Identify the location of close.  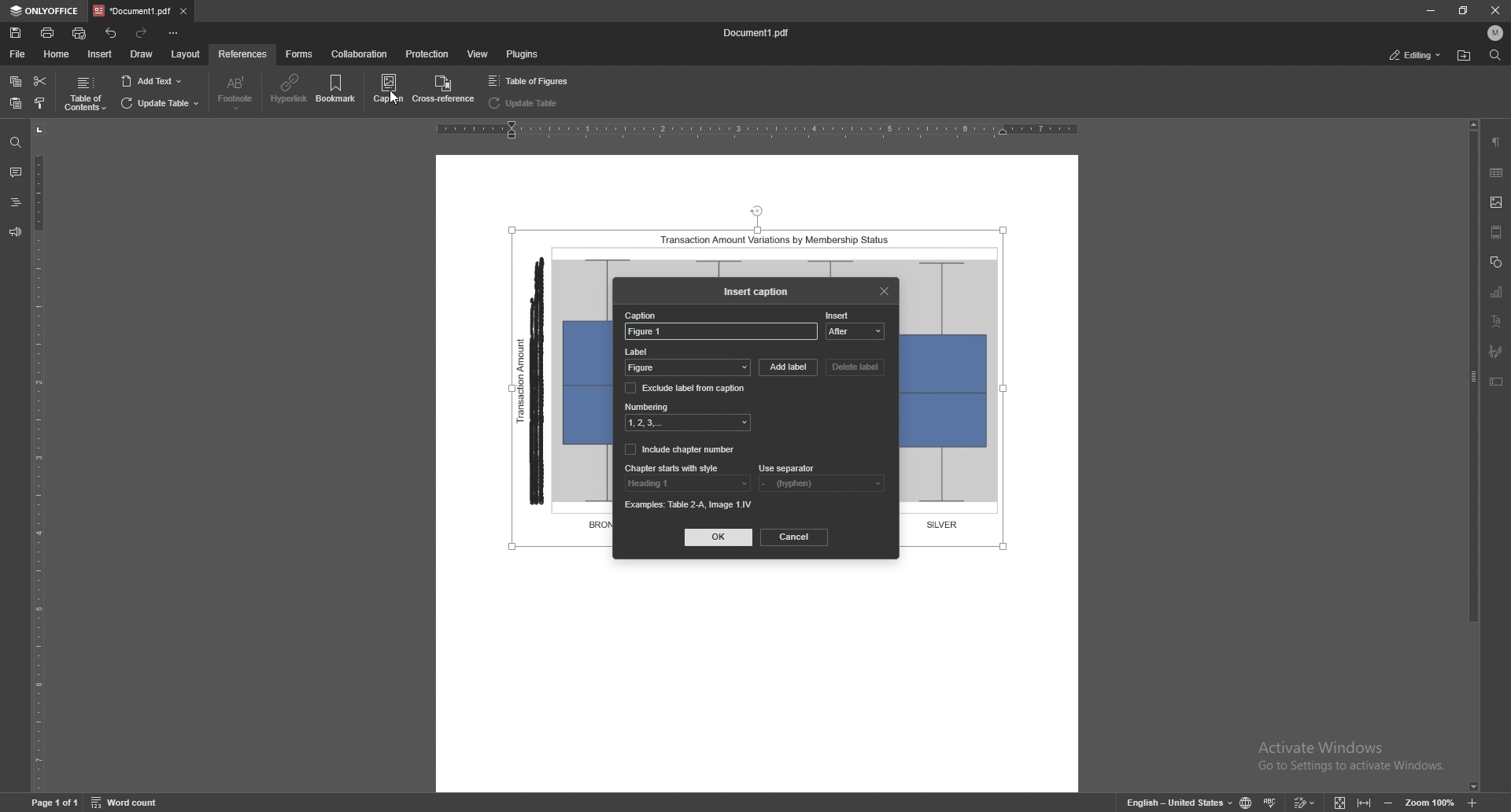
(1494, 10).